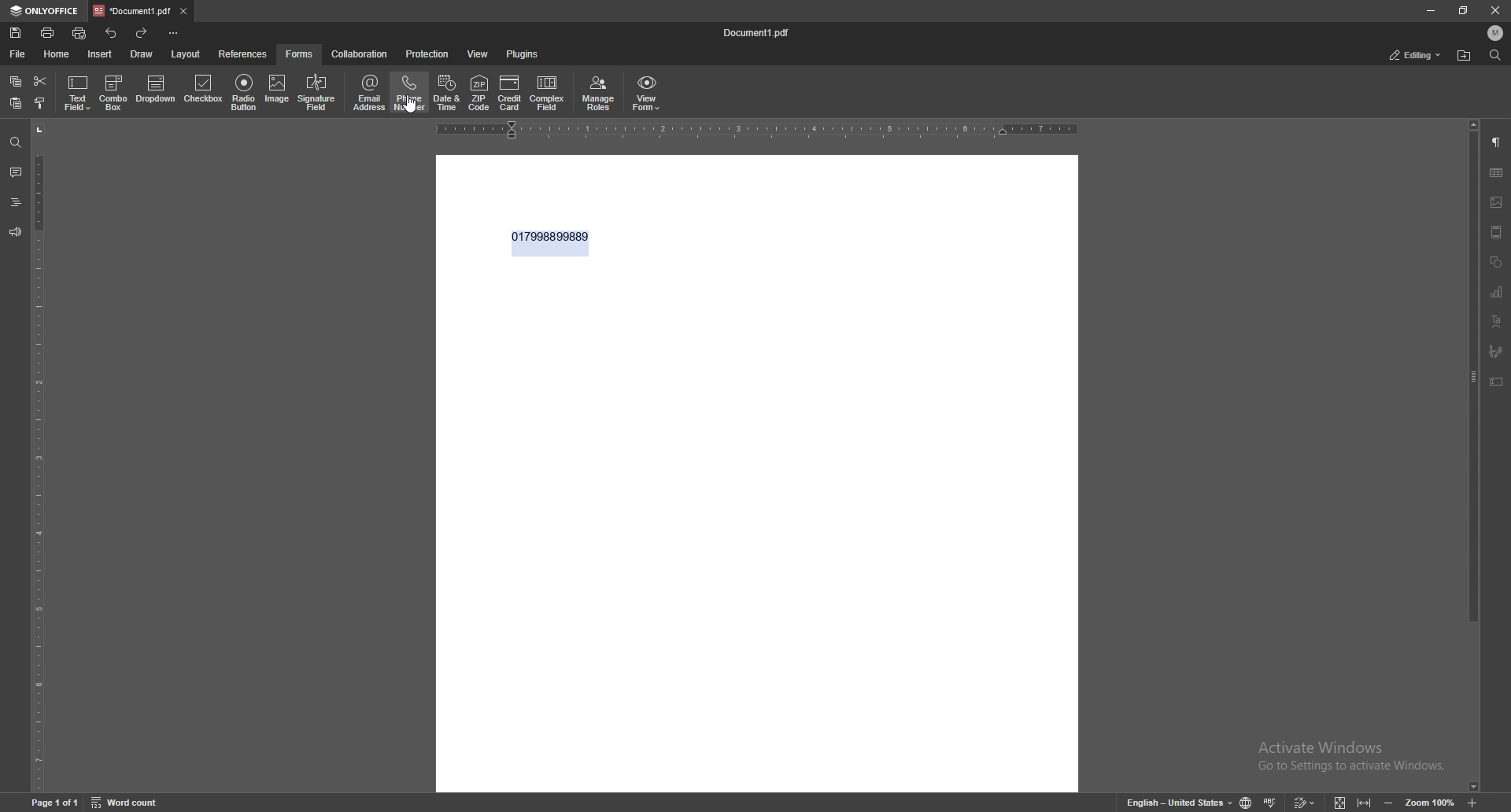  I want to click on zoom in, so click(1472, 804).